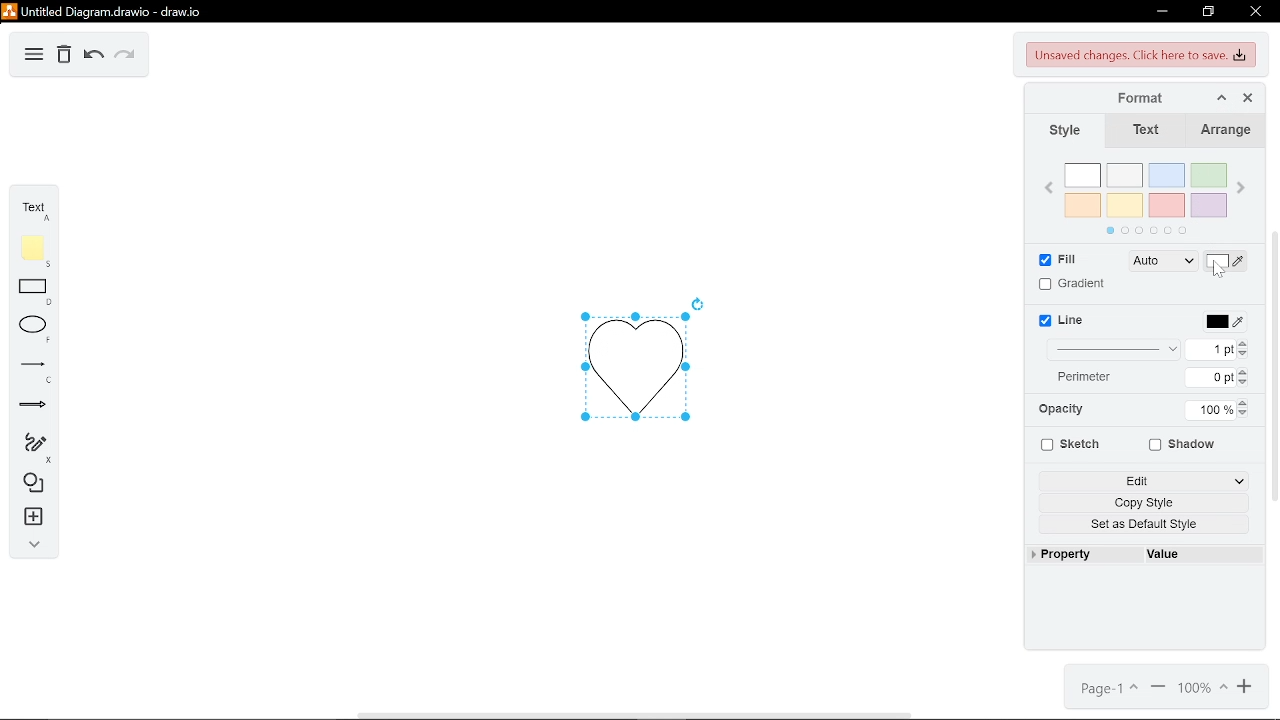 Image resolution: width=1280 pixels, height=720 pixels. Describe the element at coordinates (34, 329) in the screenshot. I see `ellipse` at that location.